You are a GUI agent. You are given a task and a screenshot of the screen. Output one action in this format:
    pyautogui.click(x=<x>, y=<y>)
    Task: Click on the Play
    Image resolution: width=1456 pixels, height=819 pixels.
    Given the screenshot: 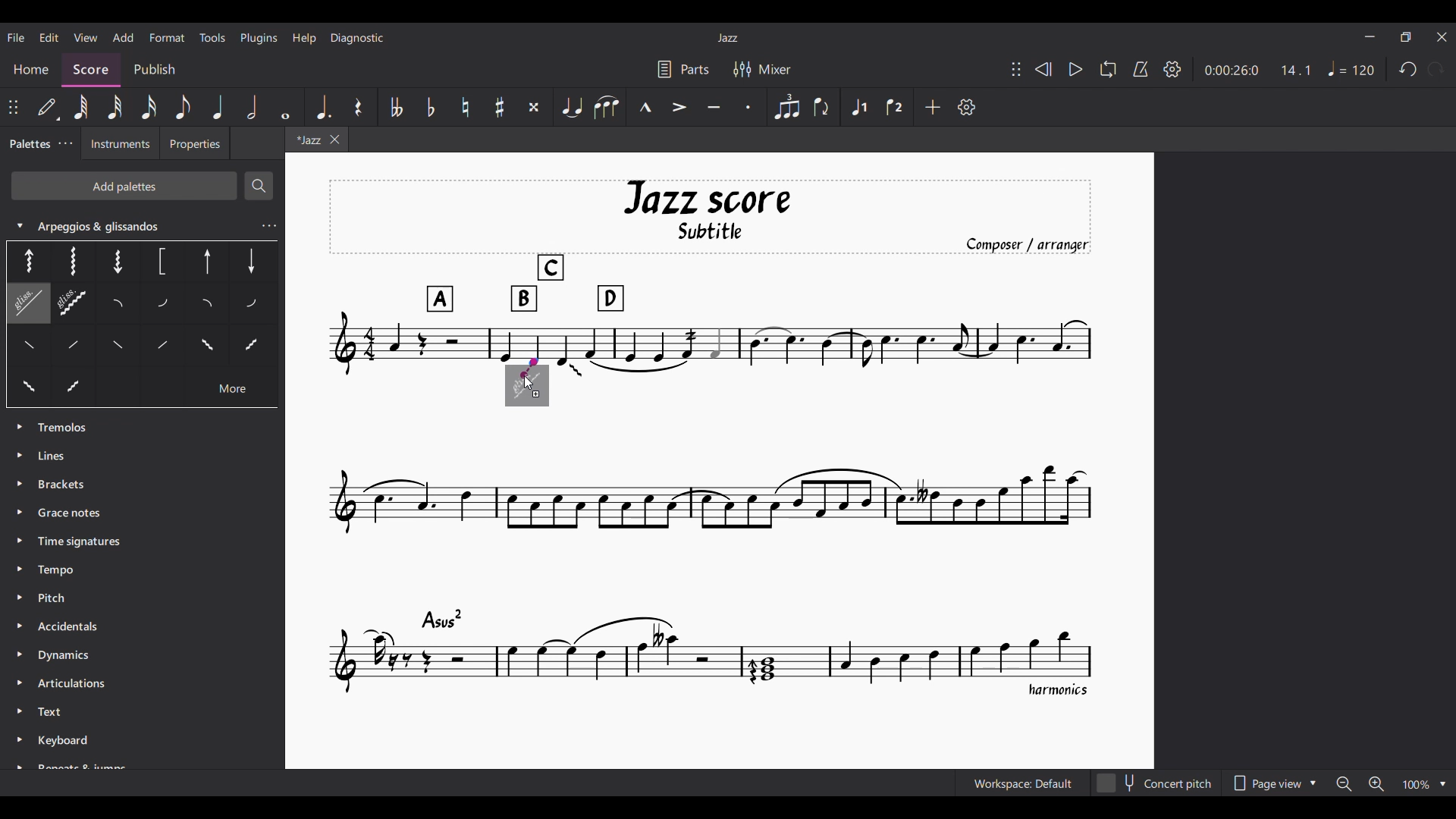 What is the action you would take?
    pyautogui.click(x=1075, y=70)
    